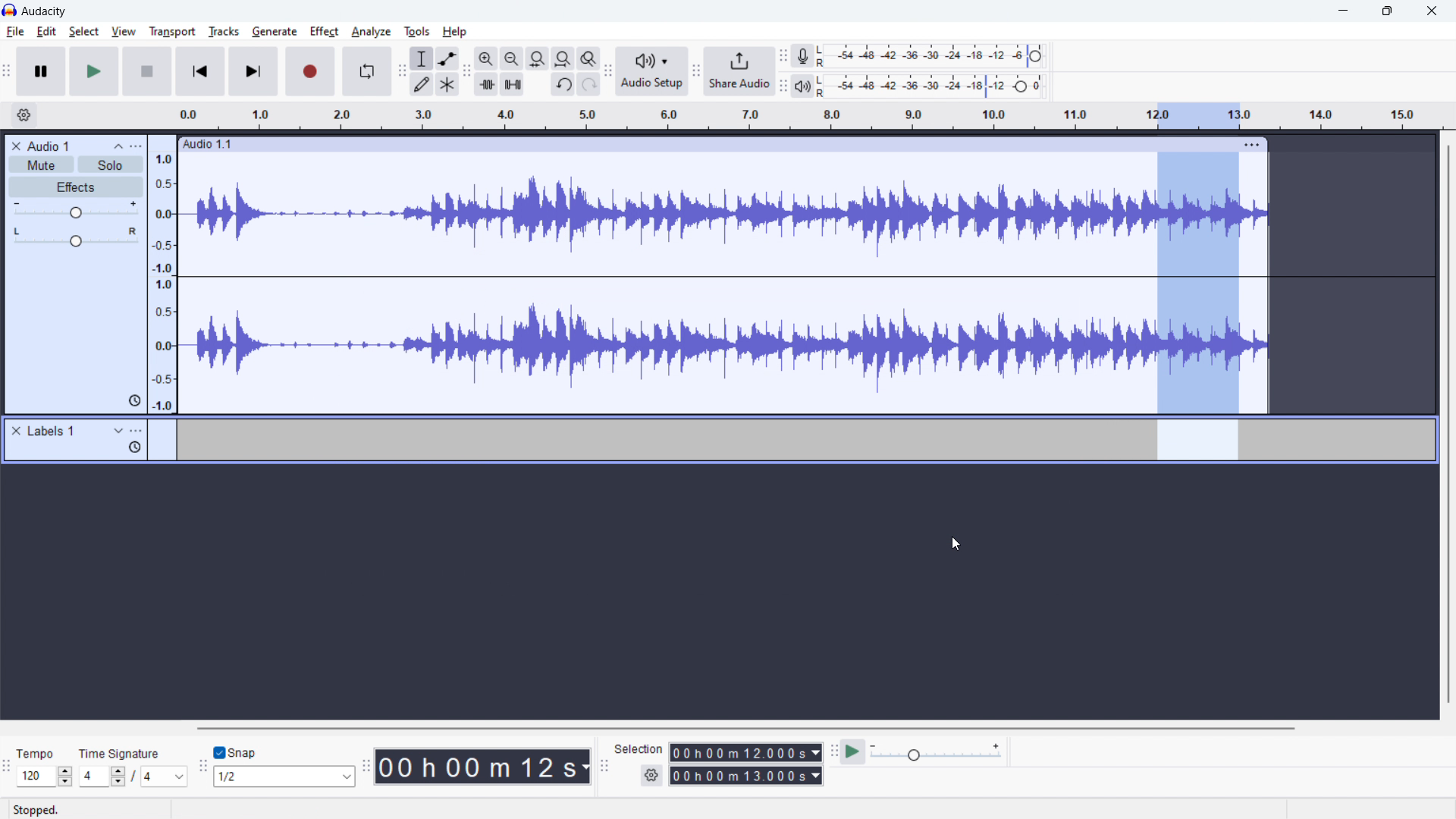  What do you see at coordinates (200, 71) in the screenshot?
I see `skip to start` at bounding box center [200, 71].